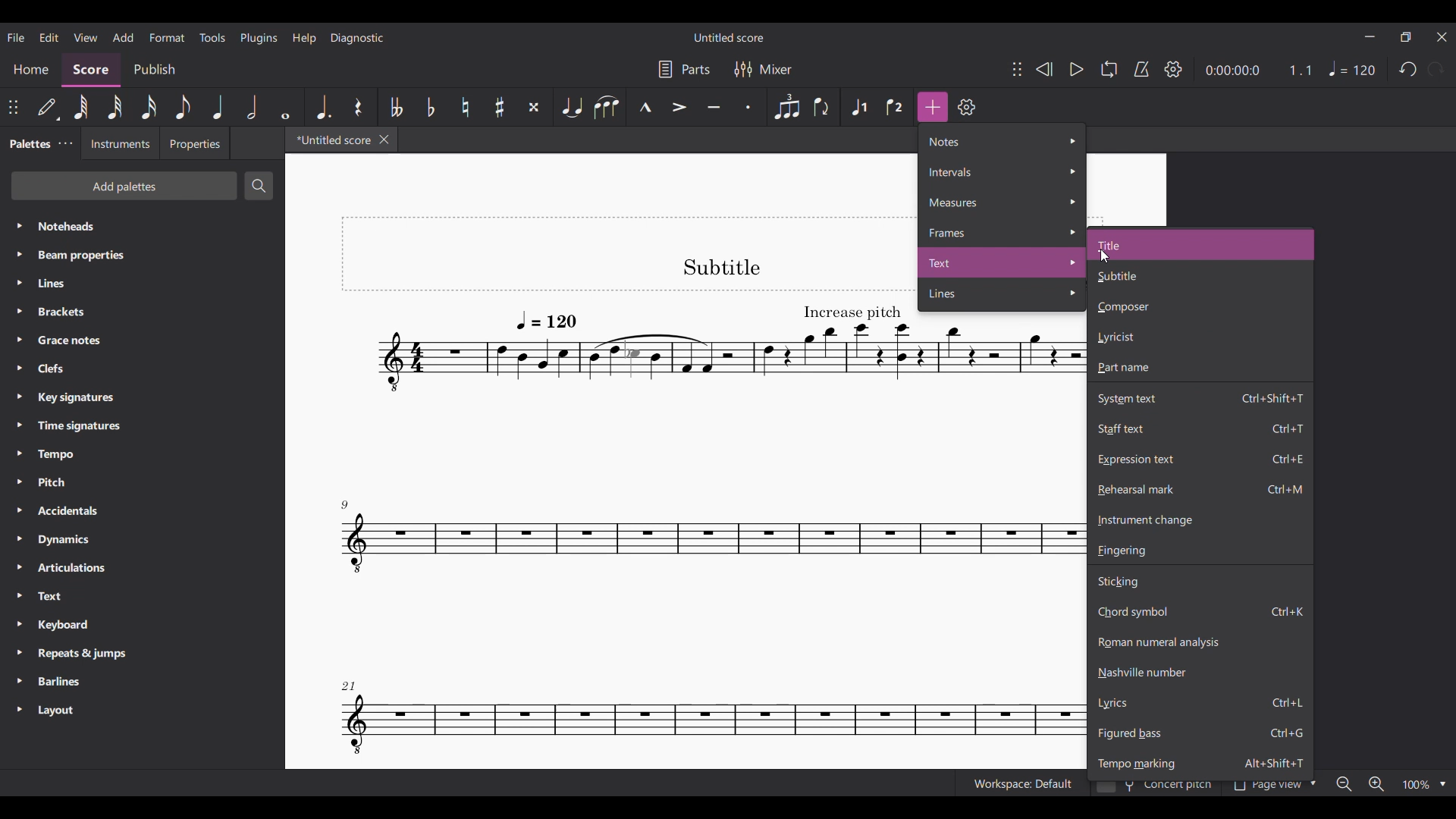 This screenshot has height=819, width=1456. Describe the element at coordinates (1200, 642) in the screenshot. I see `Roman numeral analysis` at that location.